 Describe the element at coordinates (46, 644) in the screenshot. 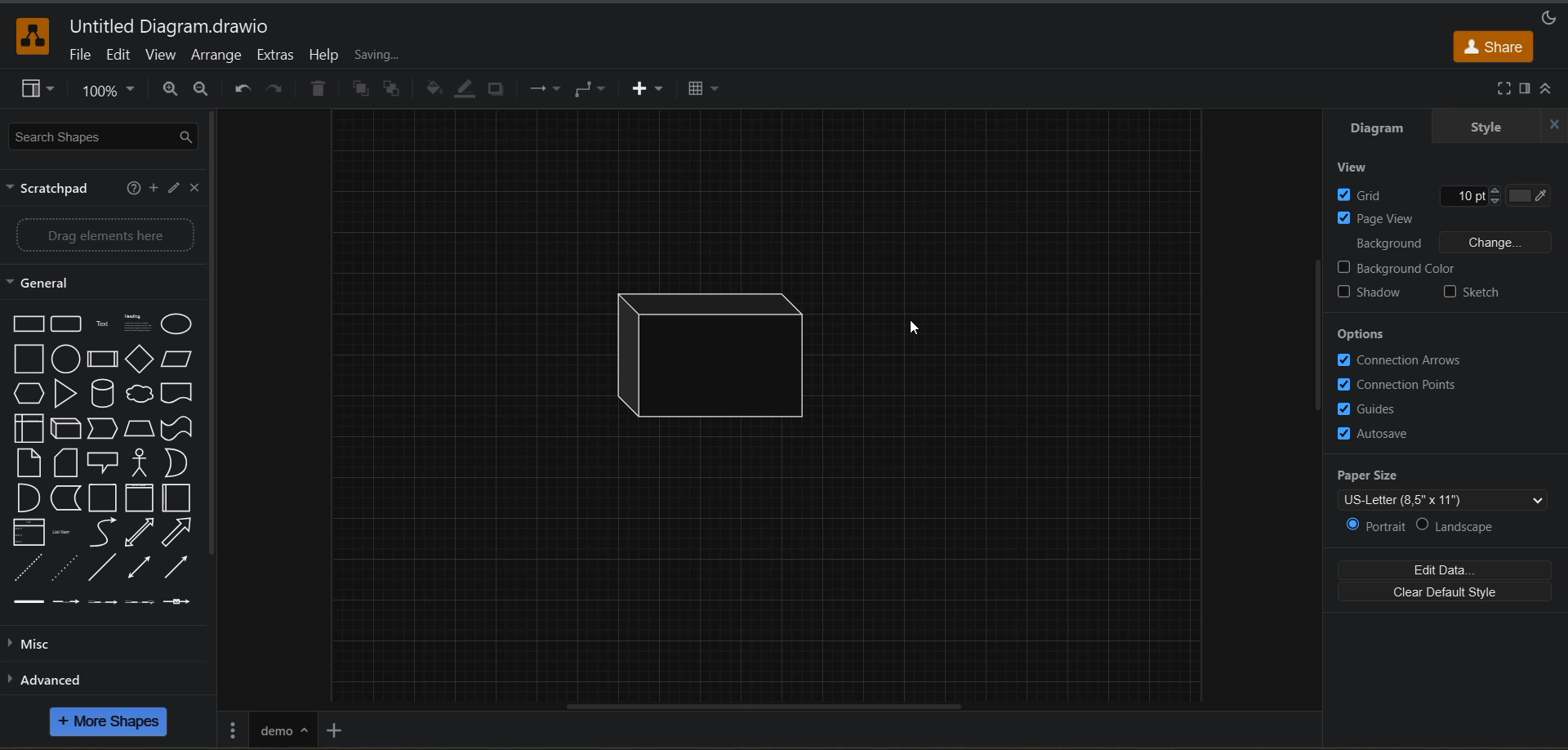

I see `misc` at that location.